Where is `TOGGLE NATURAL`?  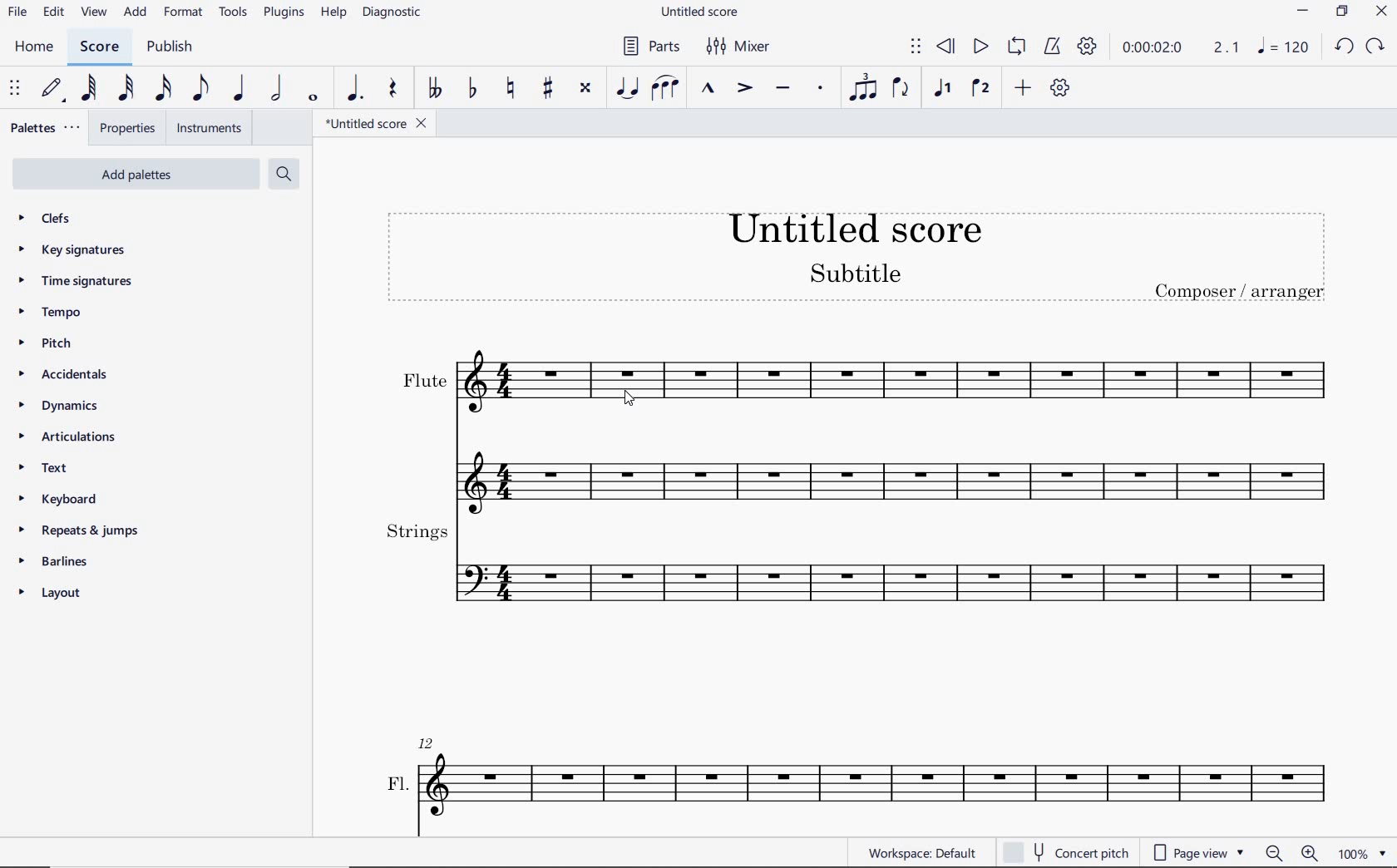 TOGGLE NATURAL is located at coordinates (512, 87).